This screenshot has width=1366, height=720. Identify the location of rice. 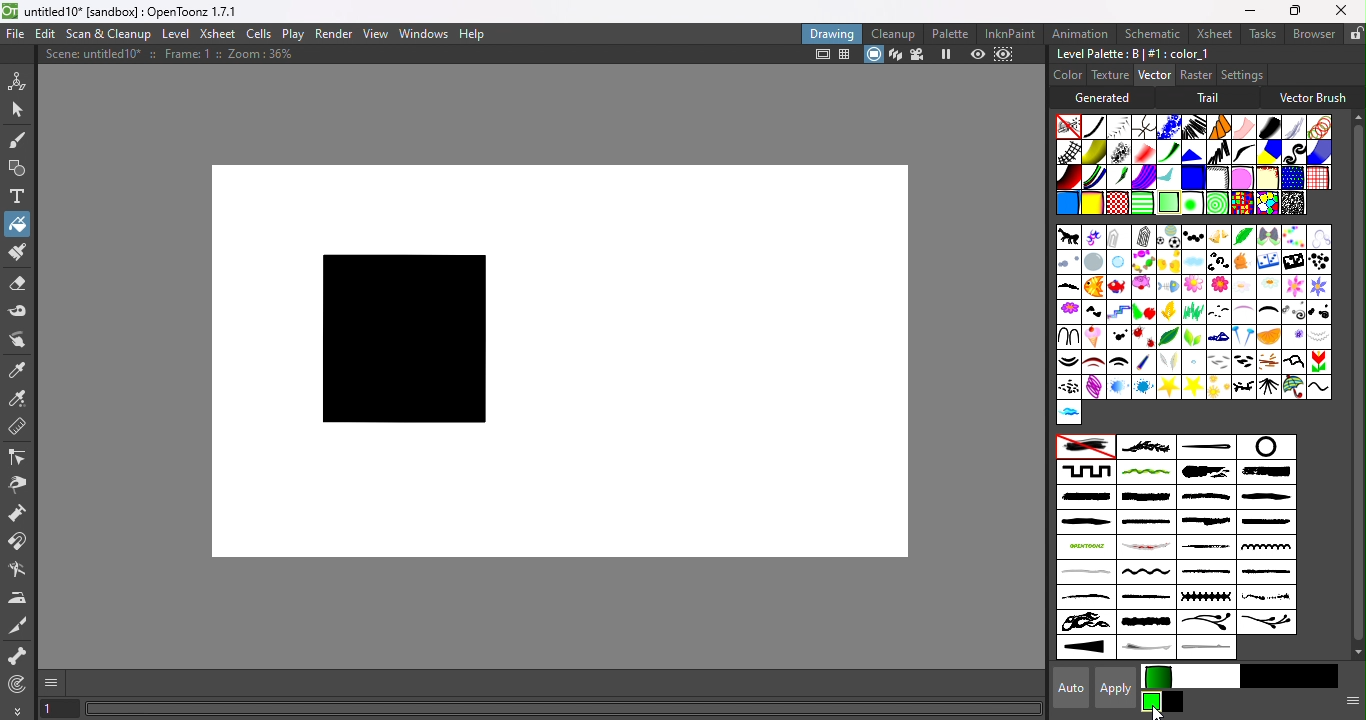
(1220, 362).